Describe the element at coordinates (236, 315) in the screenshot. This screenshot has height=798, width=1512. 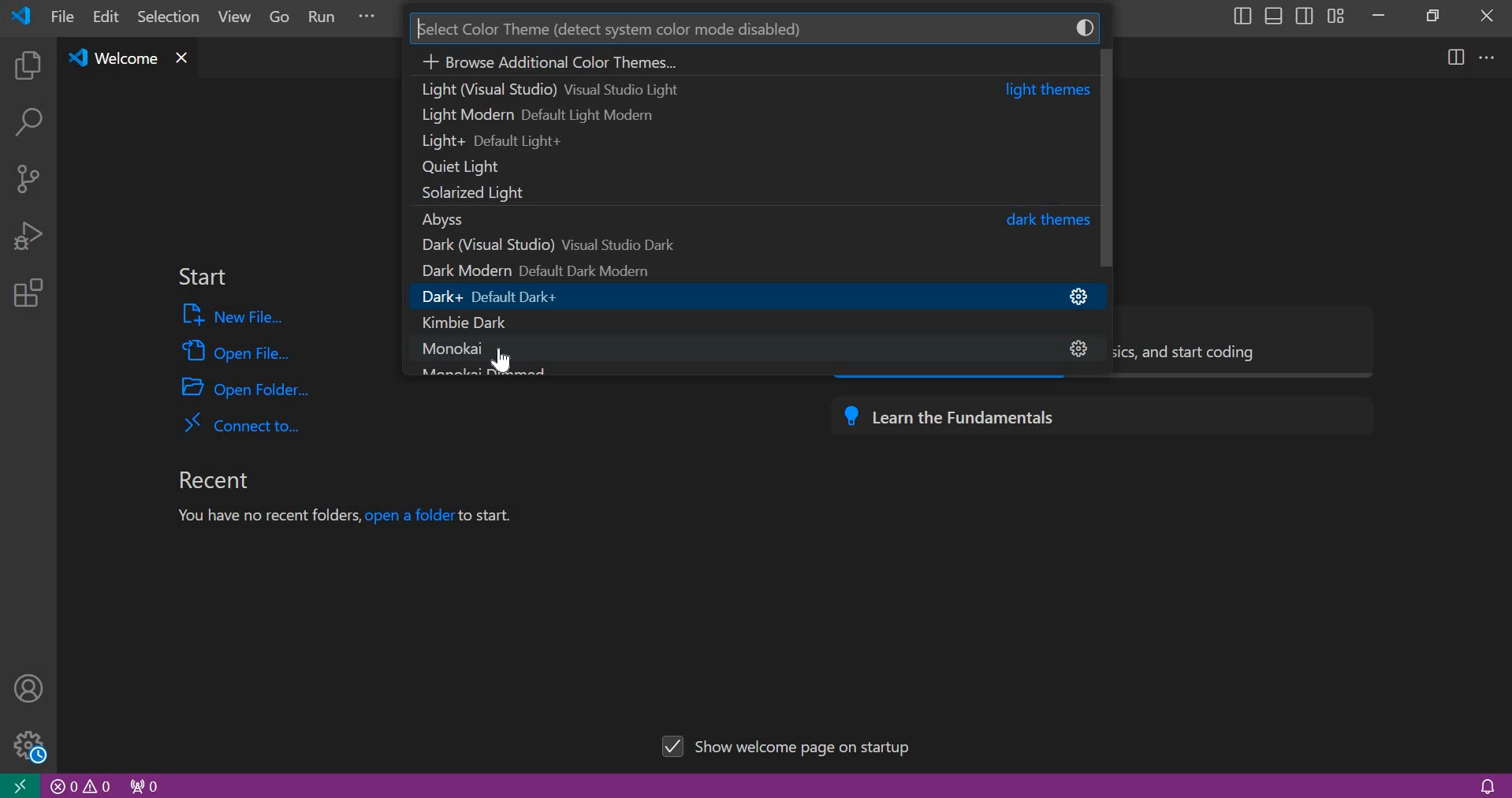
I see `new file` at that location.